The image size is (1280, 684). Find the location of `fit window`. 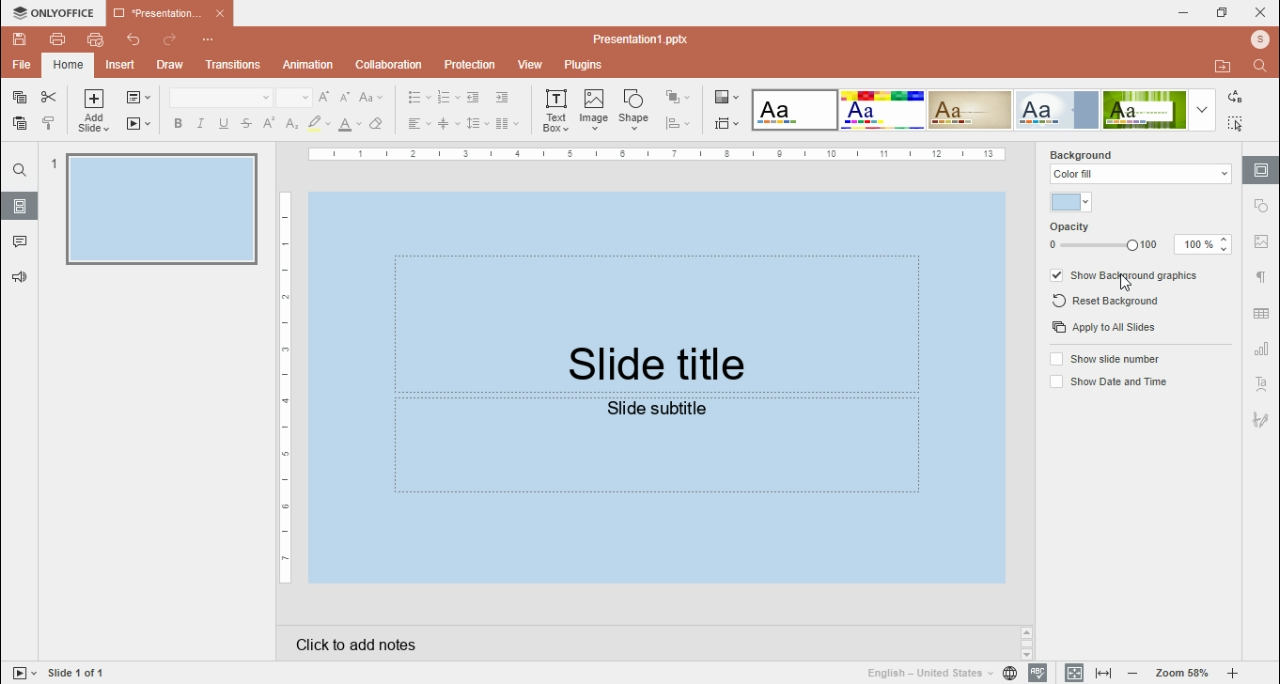

fit window is located at coordinates (1074, 674).